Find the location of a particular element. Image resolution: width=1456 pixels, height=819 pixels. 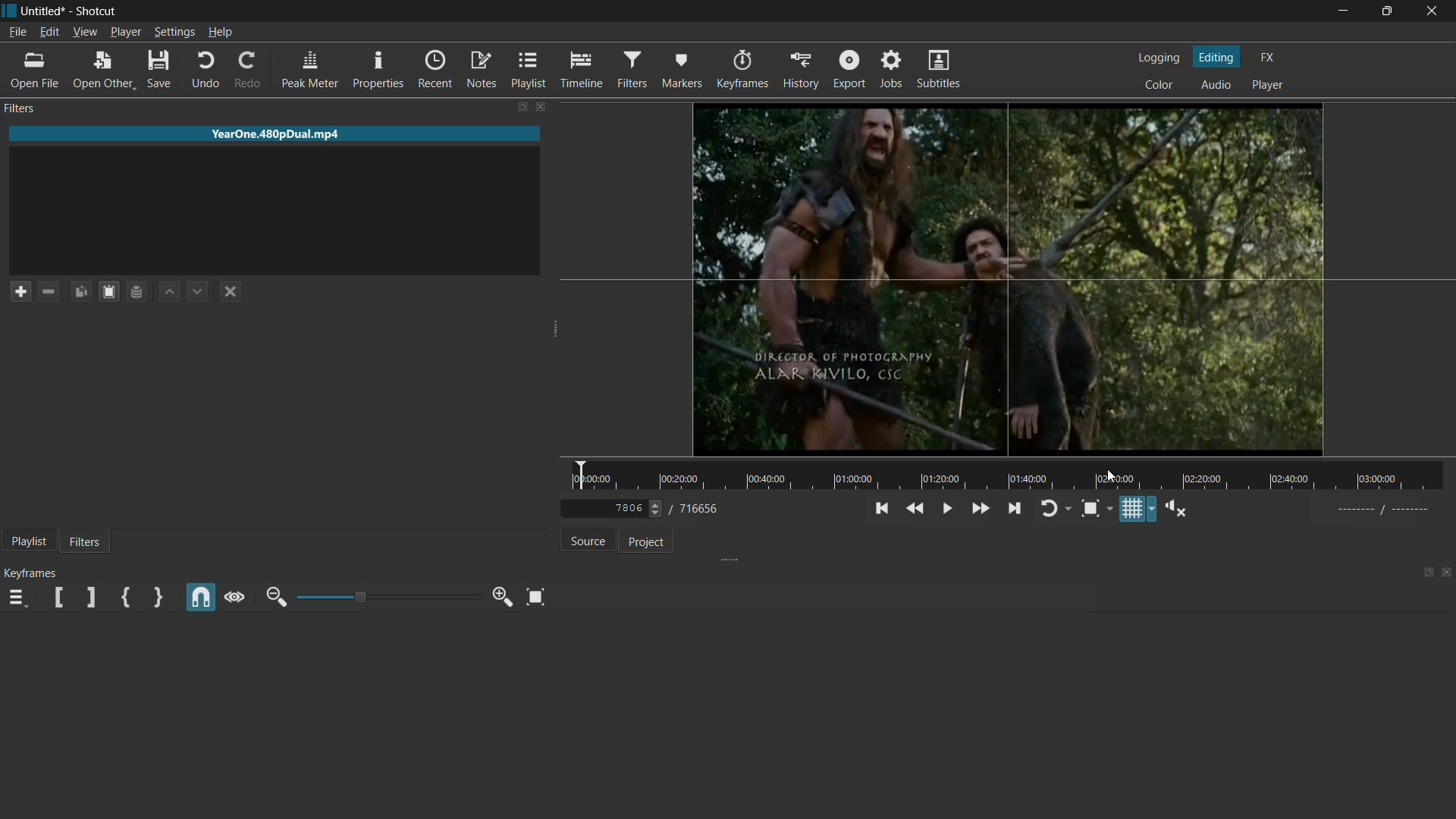

skip to the previous point is located at coordinates (879, 507).